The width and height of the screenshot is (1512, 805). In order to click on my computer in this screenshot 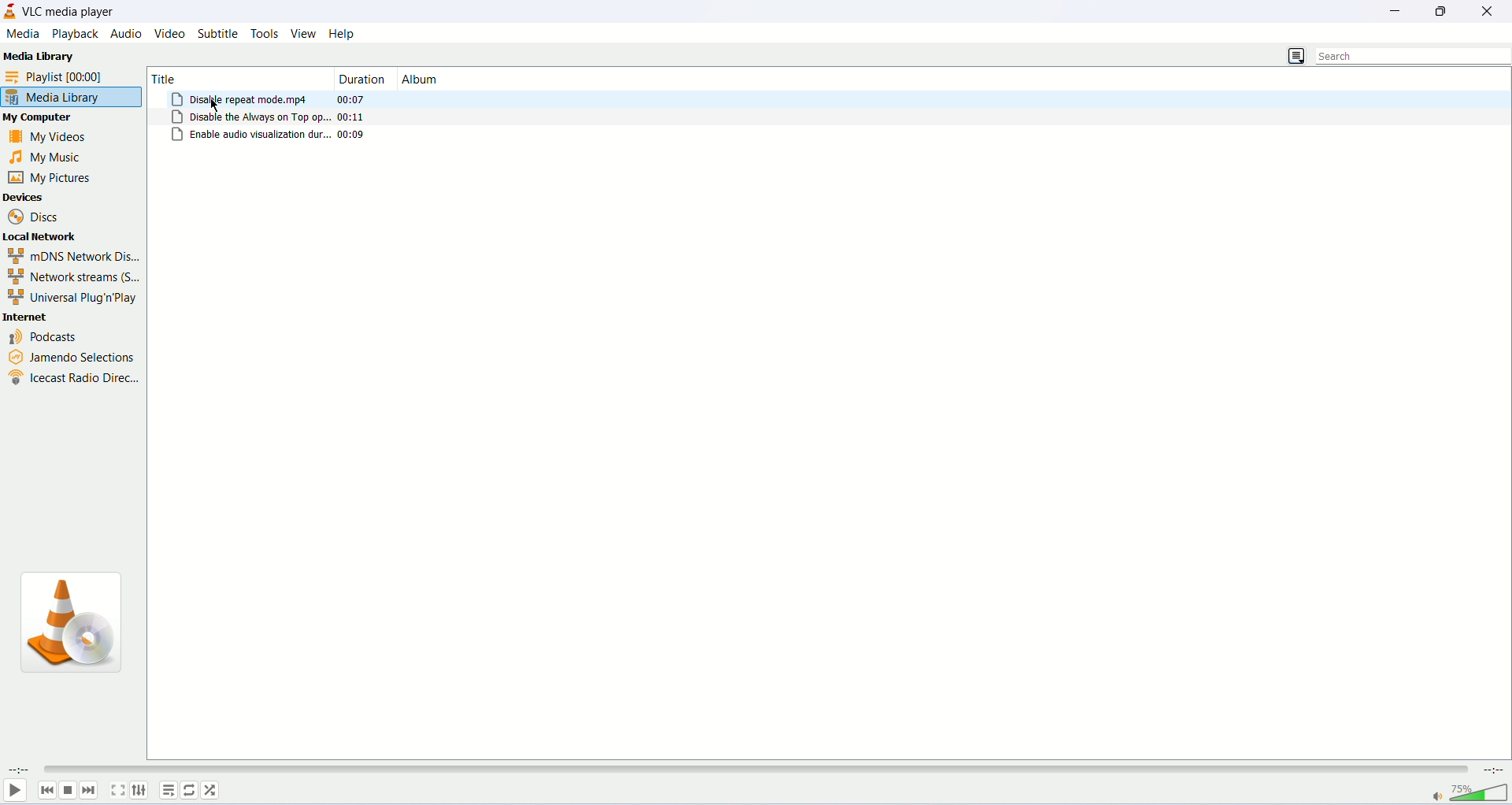, I will do `click(51, 119)`.